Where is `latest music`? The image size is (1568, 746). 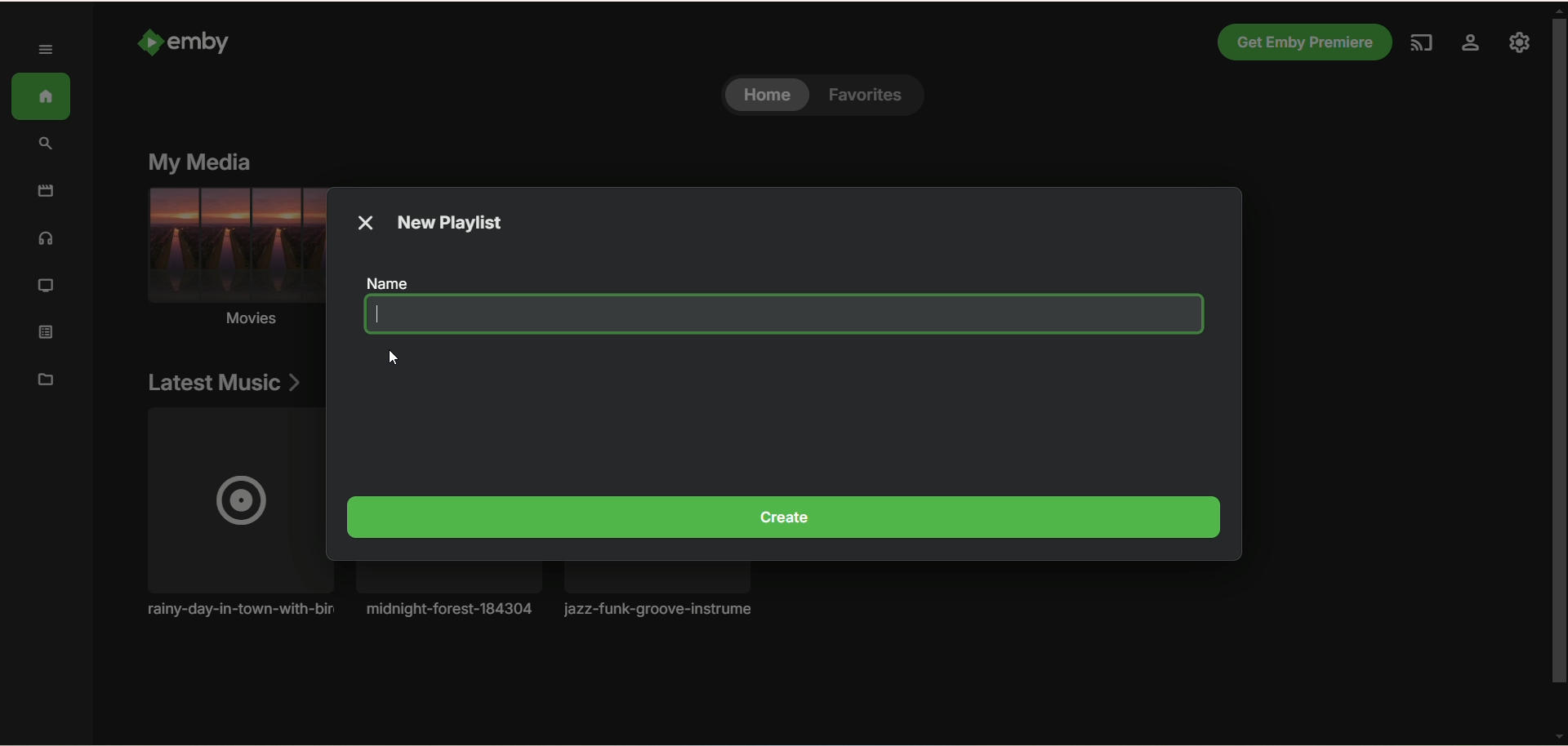 latest music is located at coordinates (224, 384).